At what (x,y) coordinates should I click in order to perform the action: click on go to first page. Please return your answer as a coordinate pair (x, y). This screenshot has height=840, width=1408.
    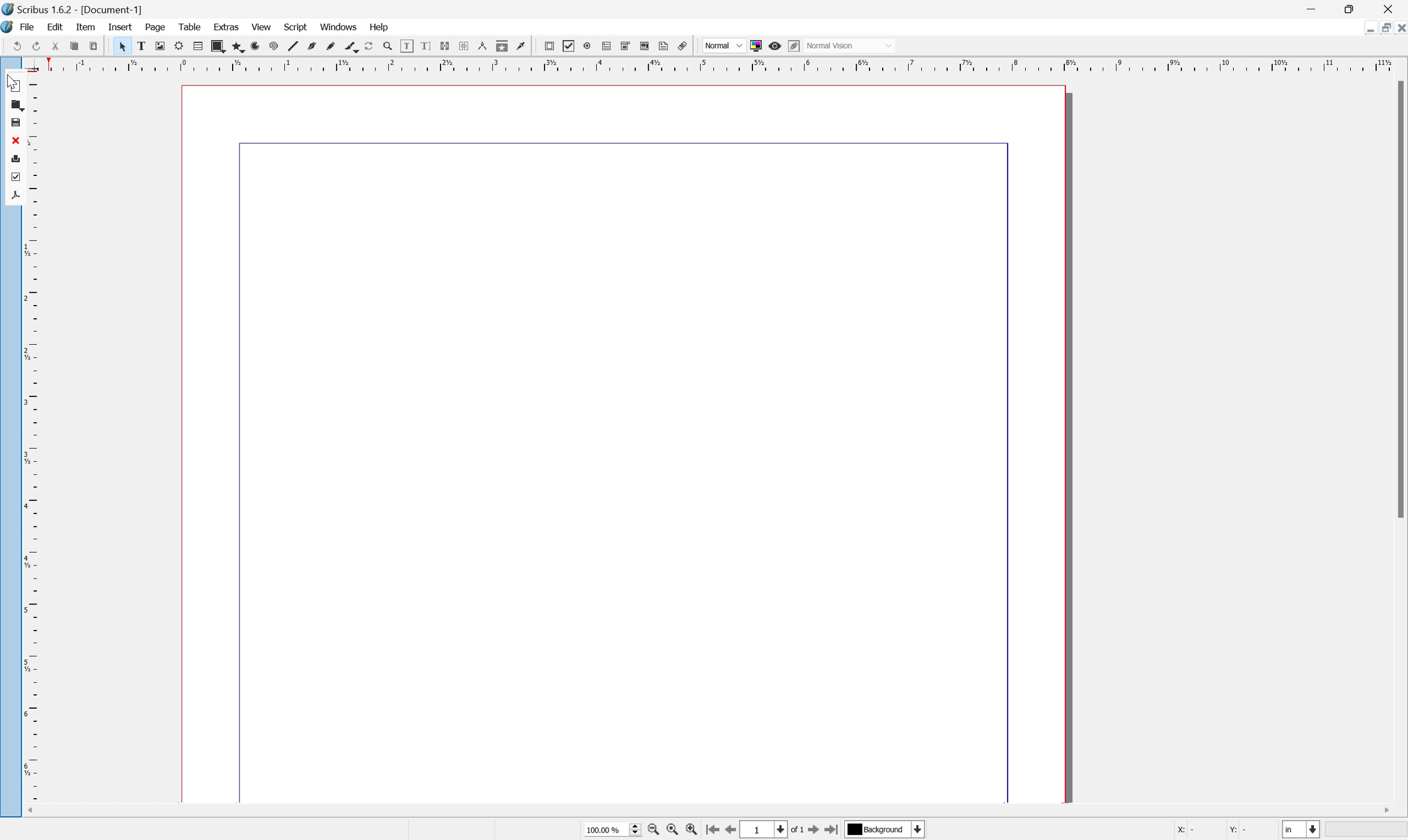
    Looking at the image, I should click on (711, 830).